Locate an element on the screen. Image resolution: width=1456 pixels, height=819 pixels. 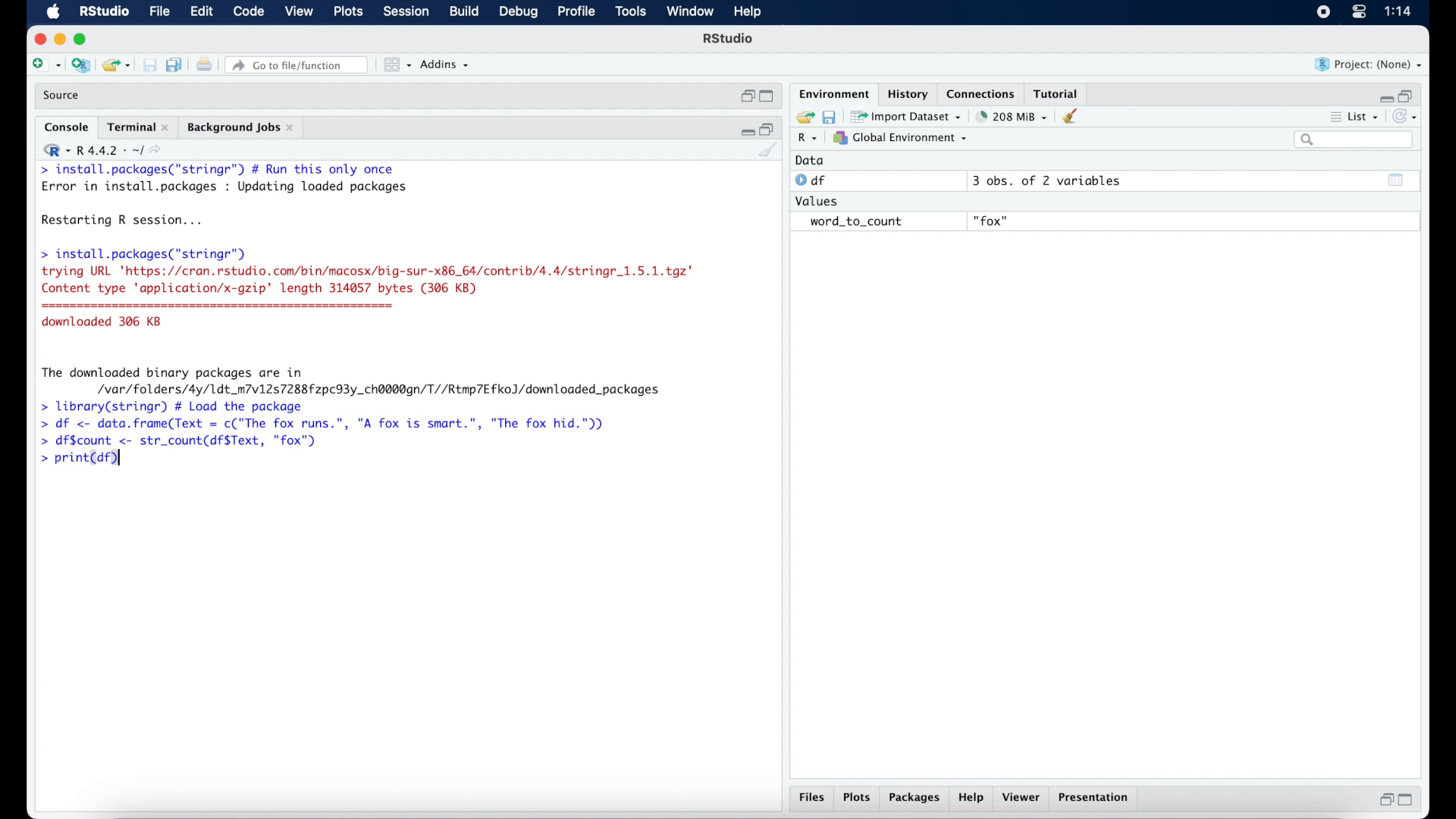
macOS is located at coordinates (53, 12).